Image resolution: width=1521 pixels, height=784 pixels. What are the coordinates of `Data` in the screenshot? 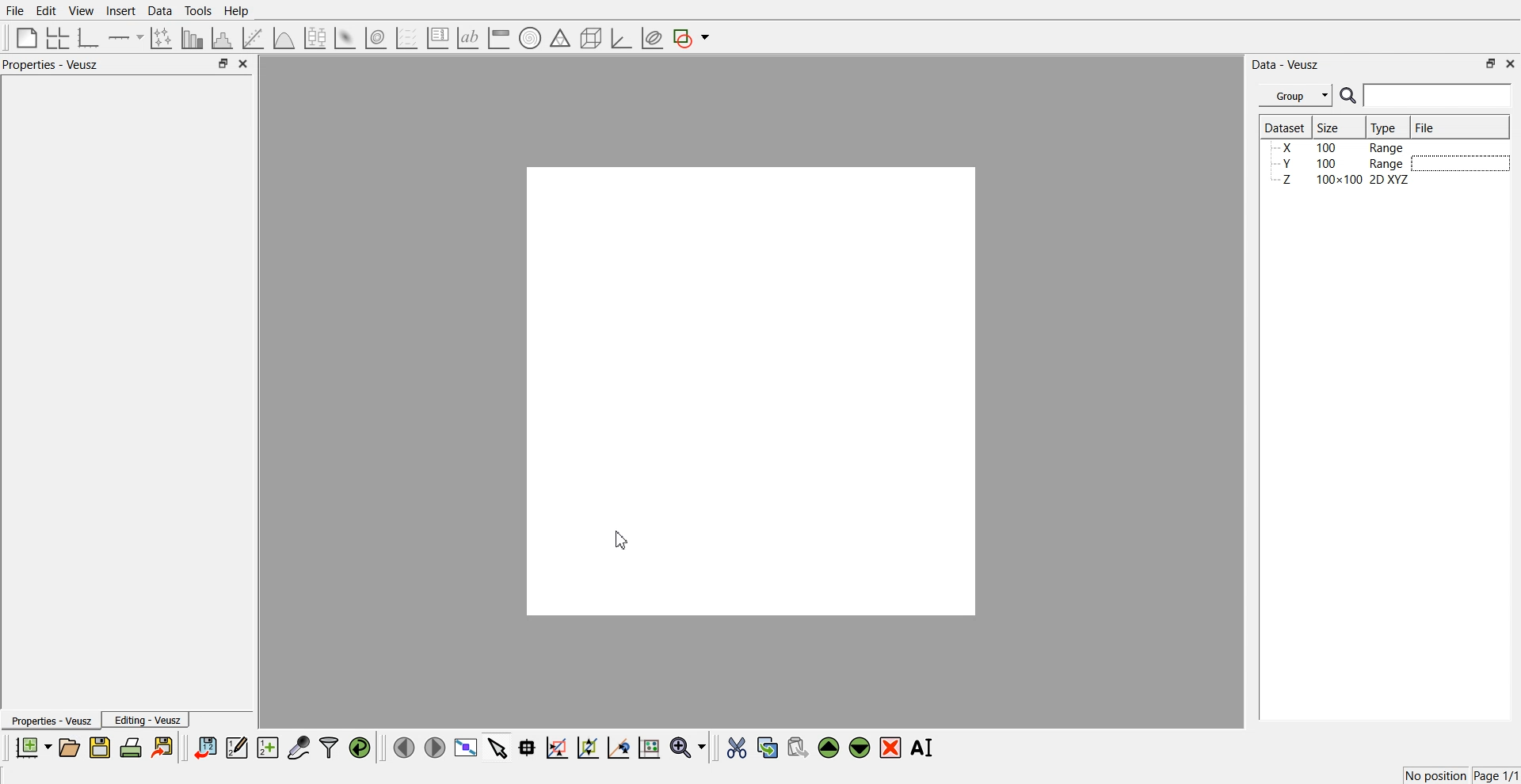 It's located at (162, 11).